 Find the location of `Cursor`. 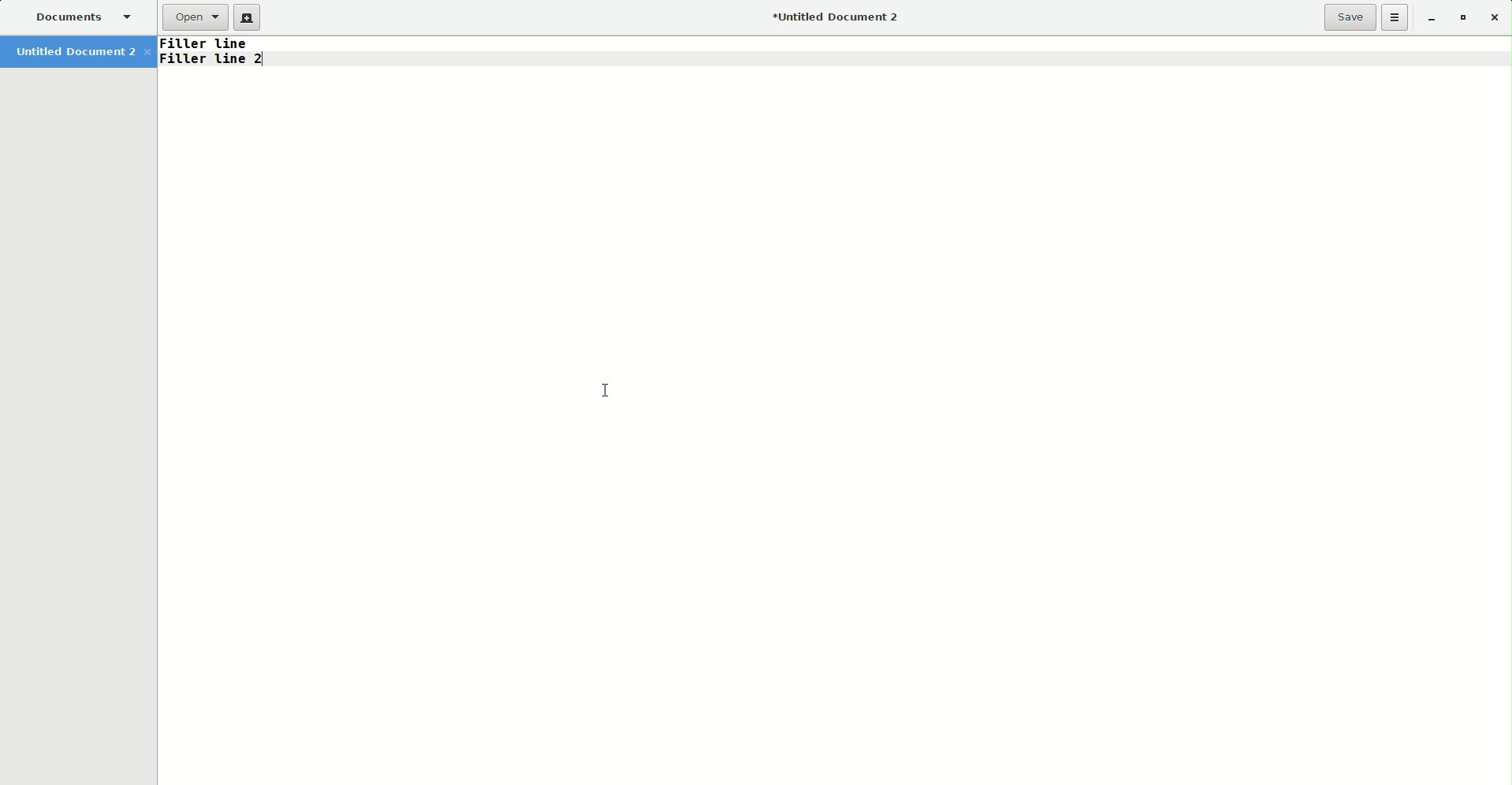

Cursor is located at coordinates (612, 392).